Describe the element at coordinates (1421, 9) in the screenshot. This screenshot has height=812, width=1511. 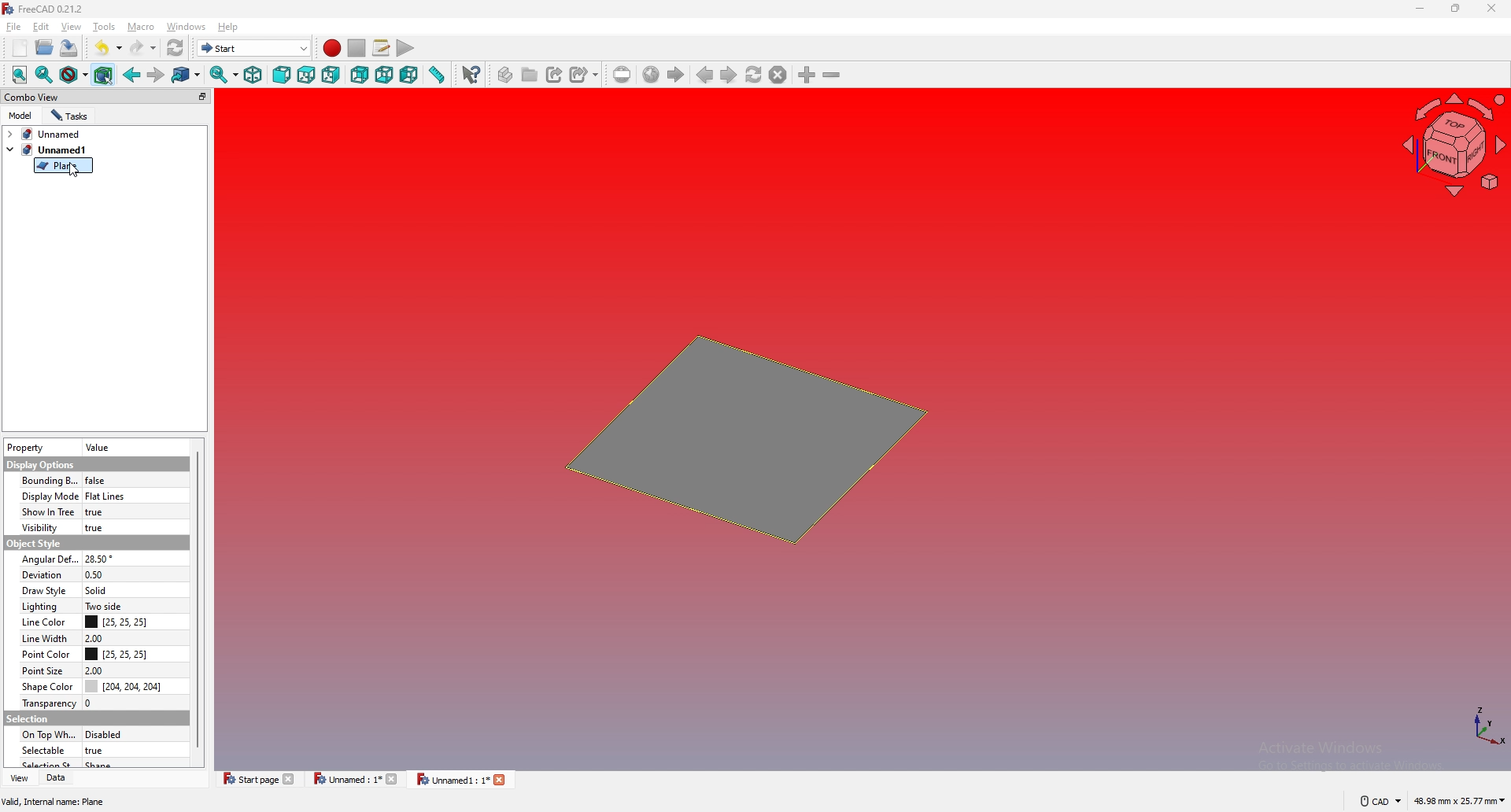
I see `minimize` at that location.